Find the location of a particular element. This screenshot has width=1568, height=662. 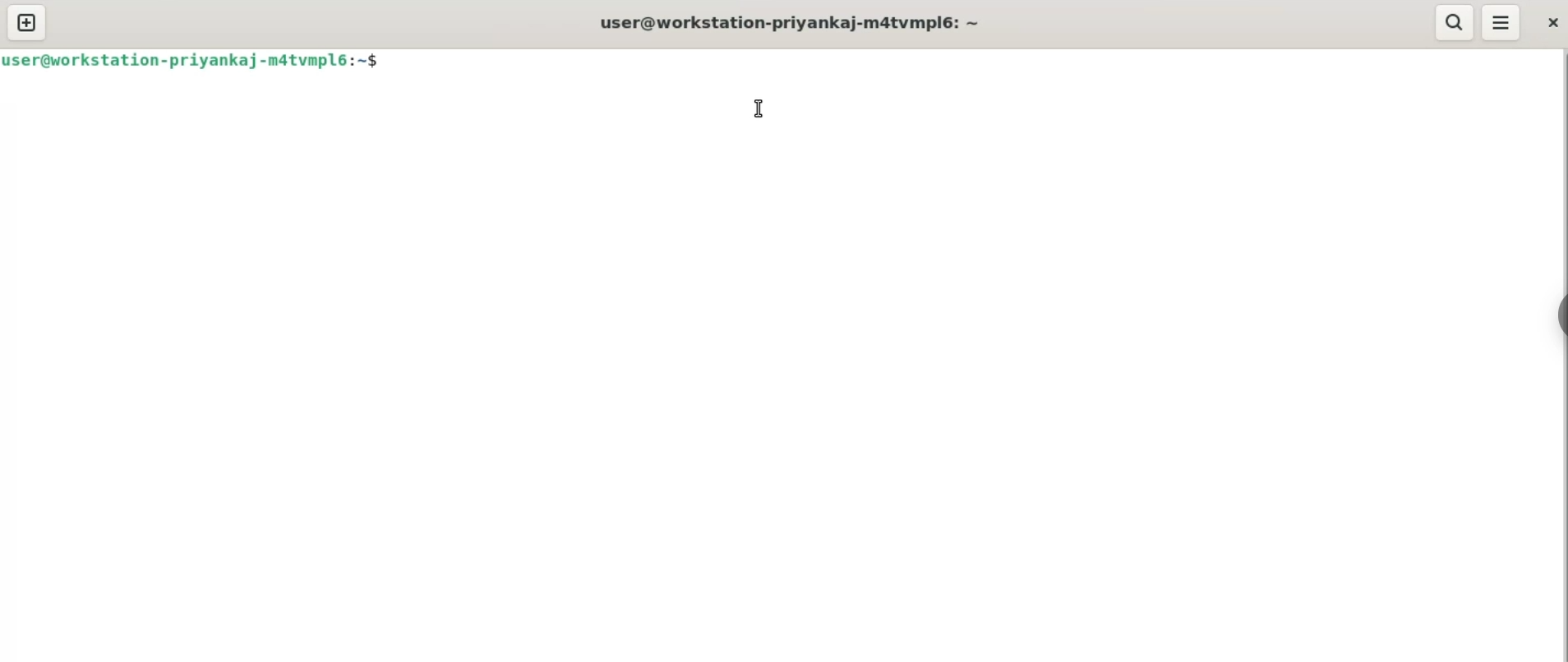

menu is located at coordinates (1500, 23).